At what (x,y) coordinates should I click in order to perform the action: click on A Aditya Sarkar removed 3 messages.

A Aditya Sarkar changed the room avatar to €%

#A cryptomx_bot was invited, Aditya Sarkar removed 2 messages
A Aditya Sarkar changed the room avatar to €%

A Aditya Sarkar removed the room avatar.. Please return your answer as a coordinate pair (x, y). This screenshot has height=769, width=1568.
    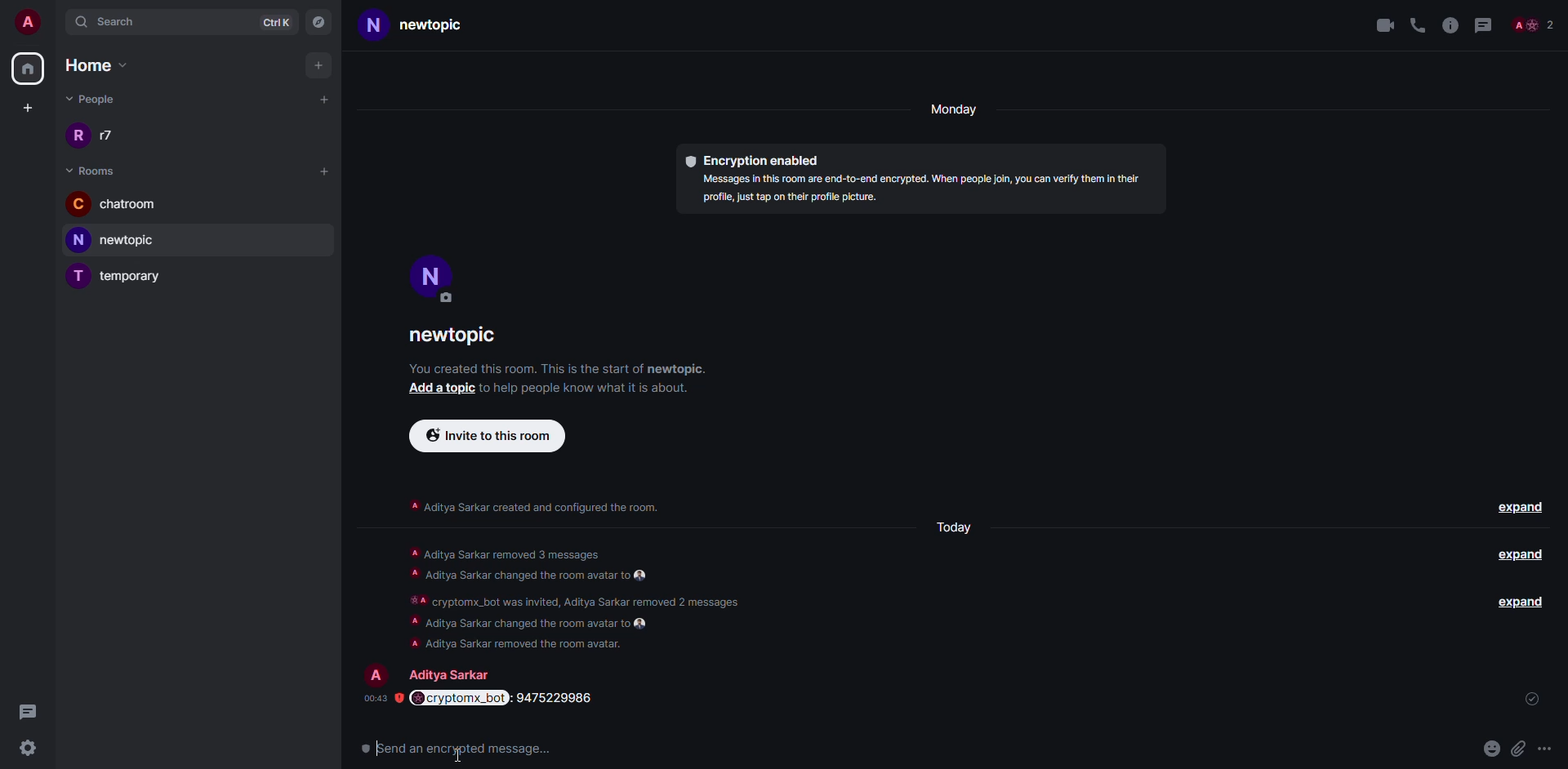
    Looking at the image, I should click on (595, 597).